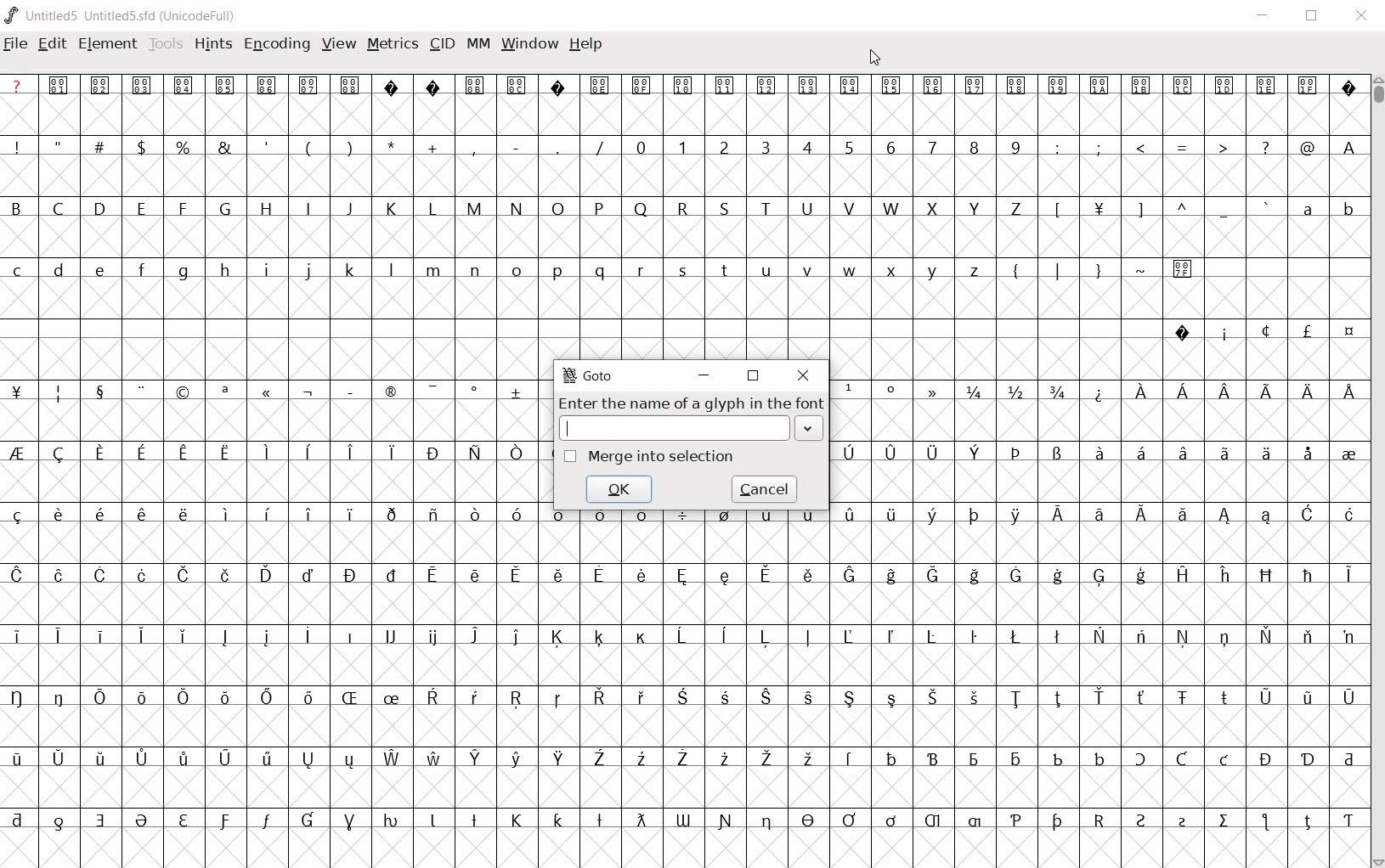 Image resolution: width=1385 pixels, height=868 pixels. I want to click on /, so click(597, 148).